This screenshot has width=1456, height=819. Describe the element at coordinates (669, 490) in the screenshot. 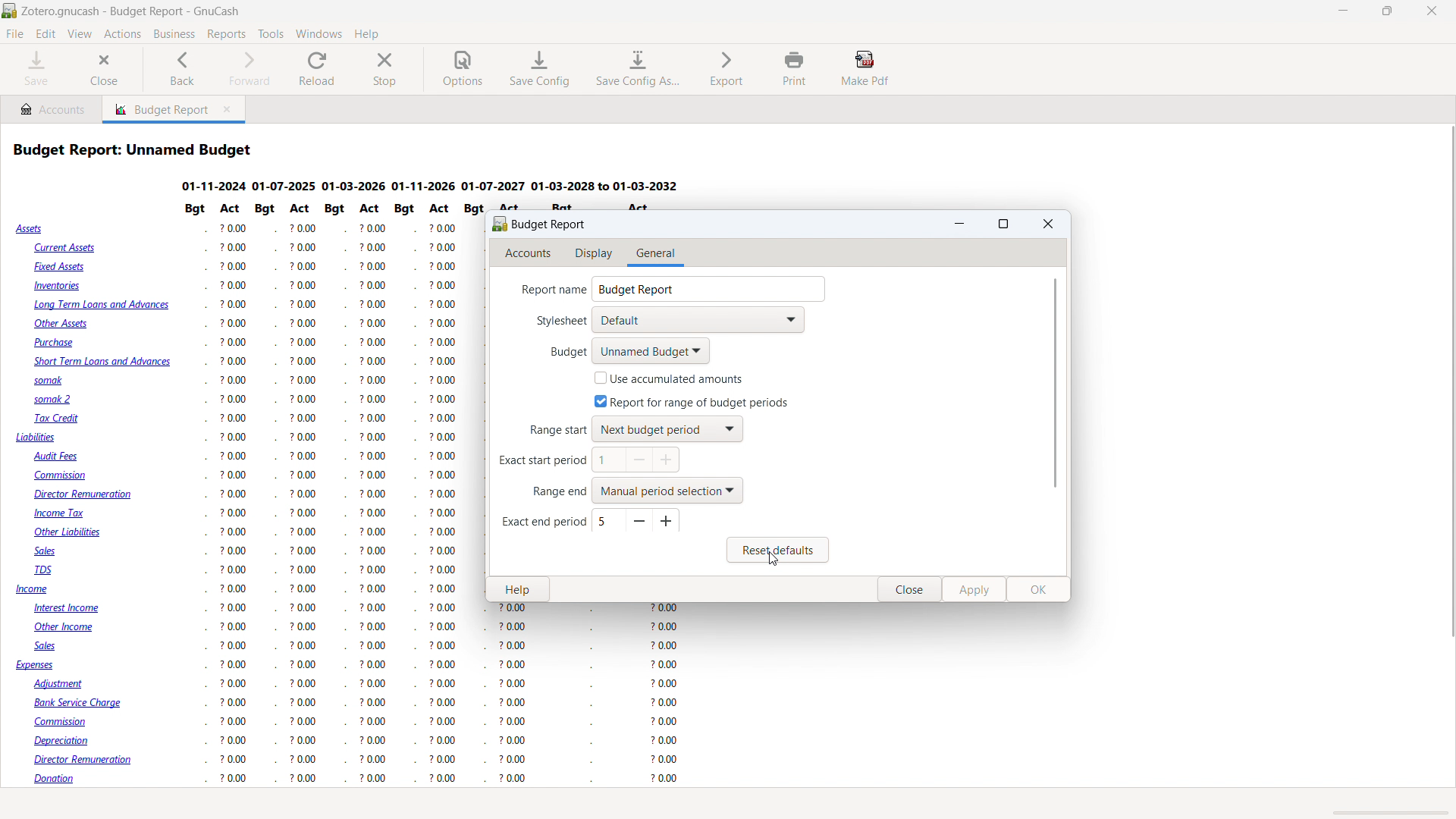

I see `range end` at that location.